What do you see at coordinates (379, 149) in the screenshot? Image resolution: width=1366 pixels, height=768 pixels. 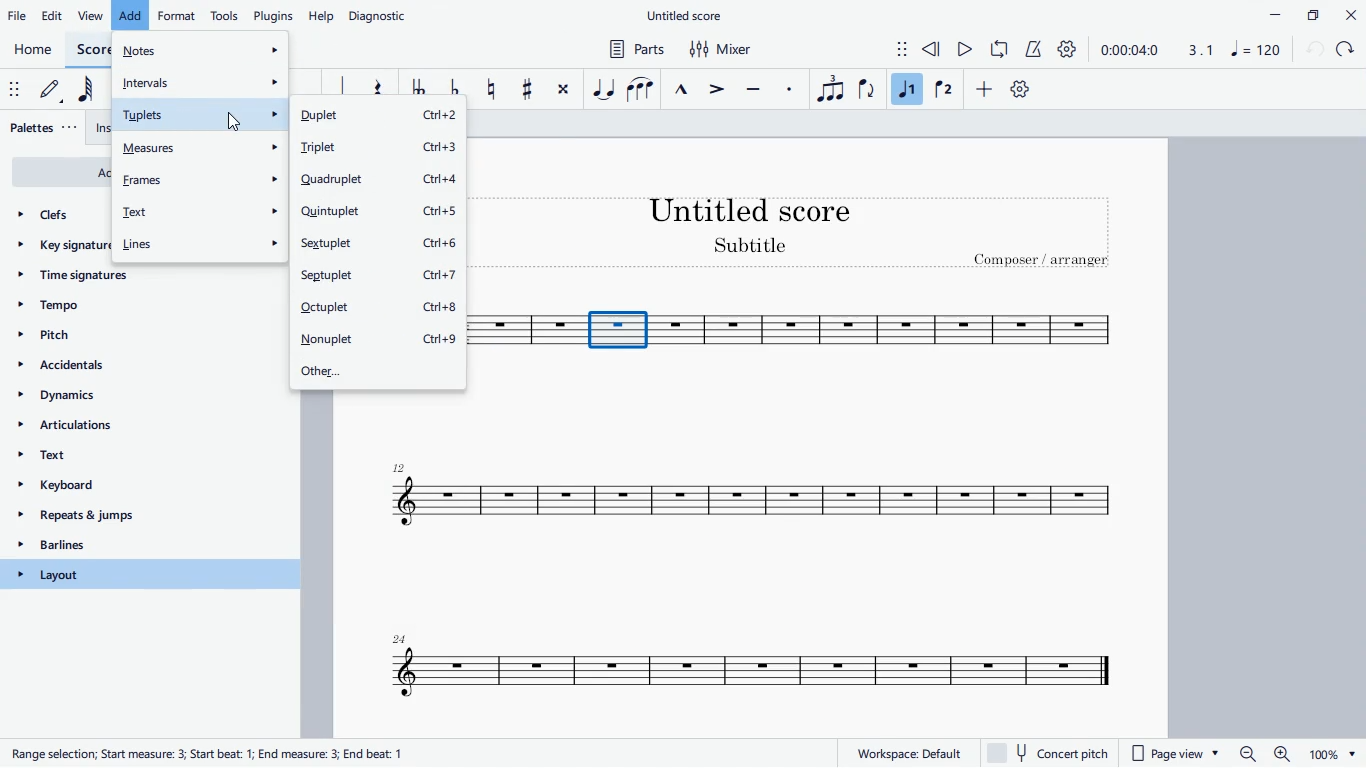 I see `triplet` at bounding box center [379, 149].